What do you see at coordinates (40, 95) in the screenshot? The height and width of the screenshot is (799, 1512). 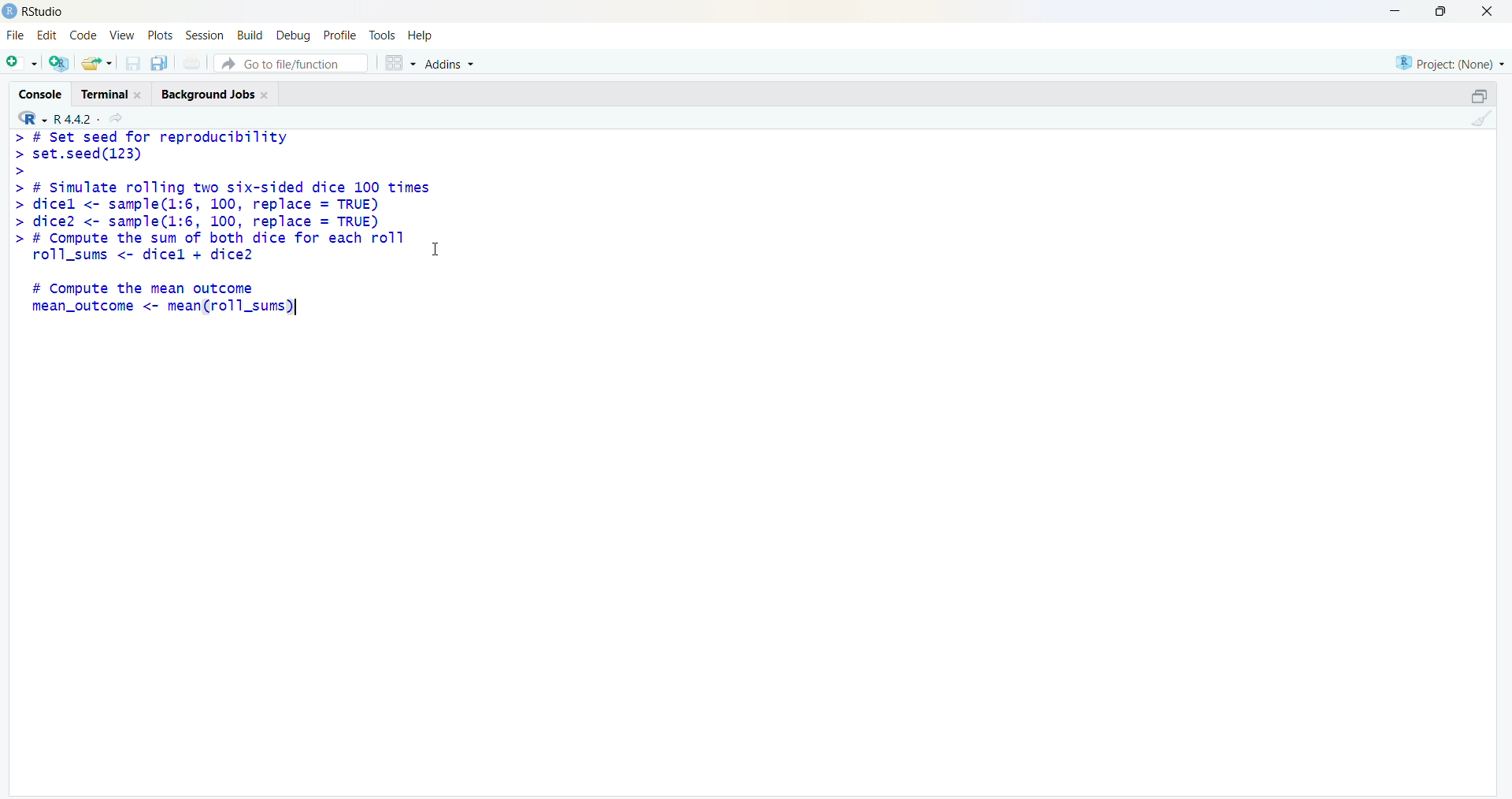 I see `cosole` at bounding box center [40, 95].